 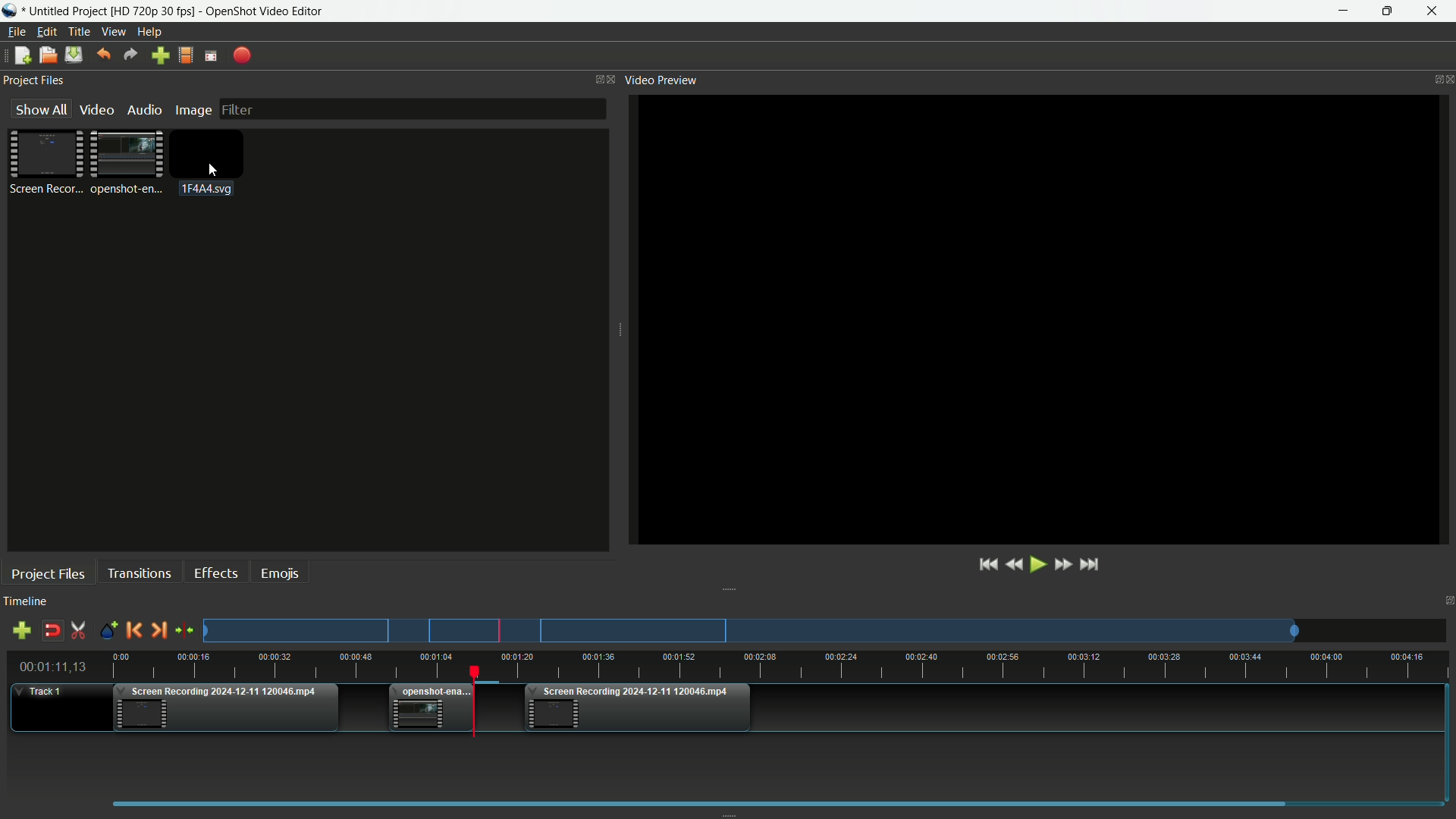 I want to click on cursor, so click(x=213, y=171).